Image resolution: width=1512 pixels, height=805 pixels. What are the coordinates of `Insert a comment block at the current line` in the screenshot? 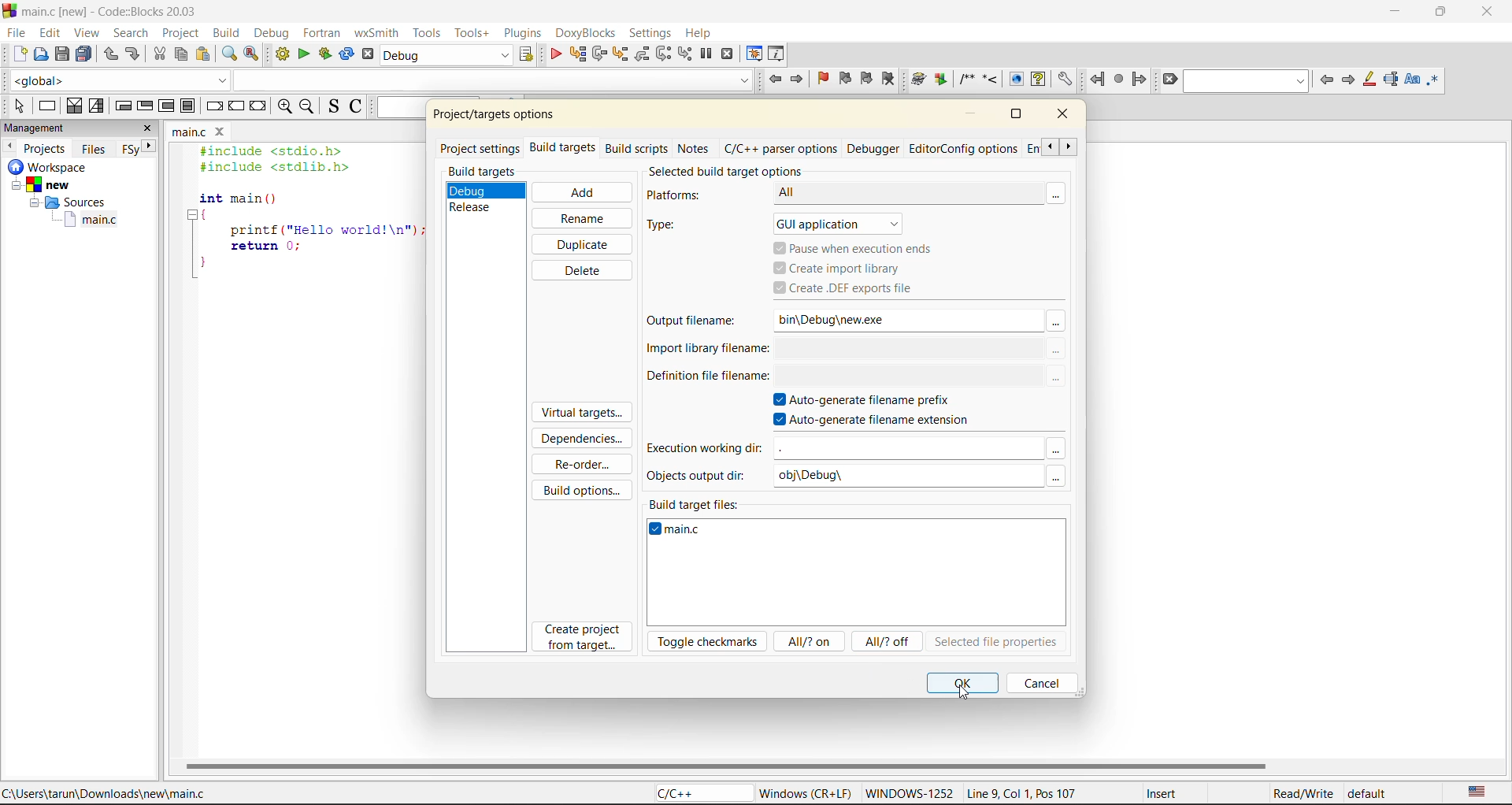 It's located at (966, 80).